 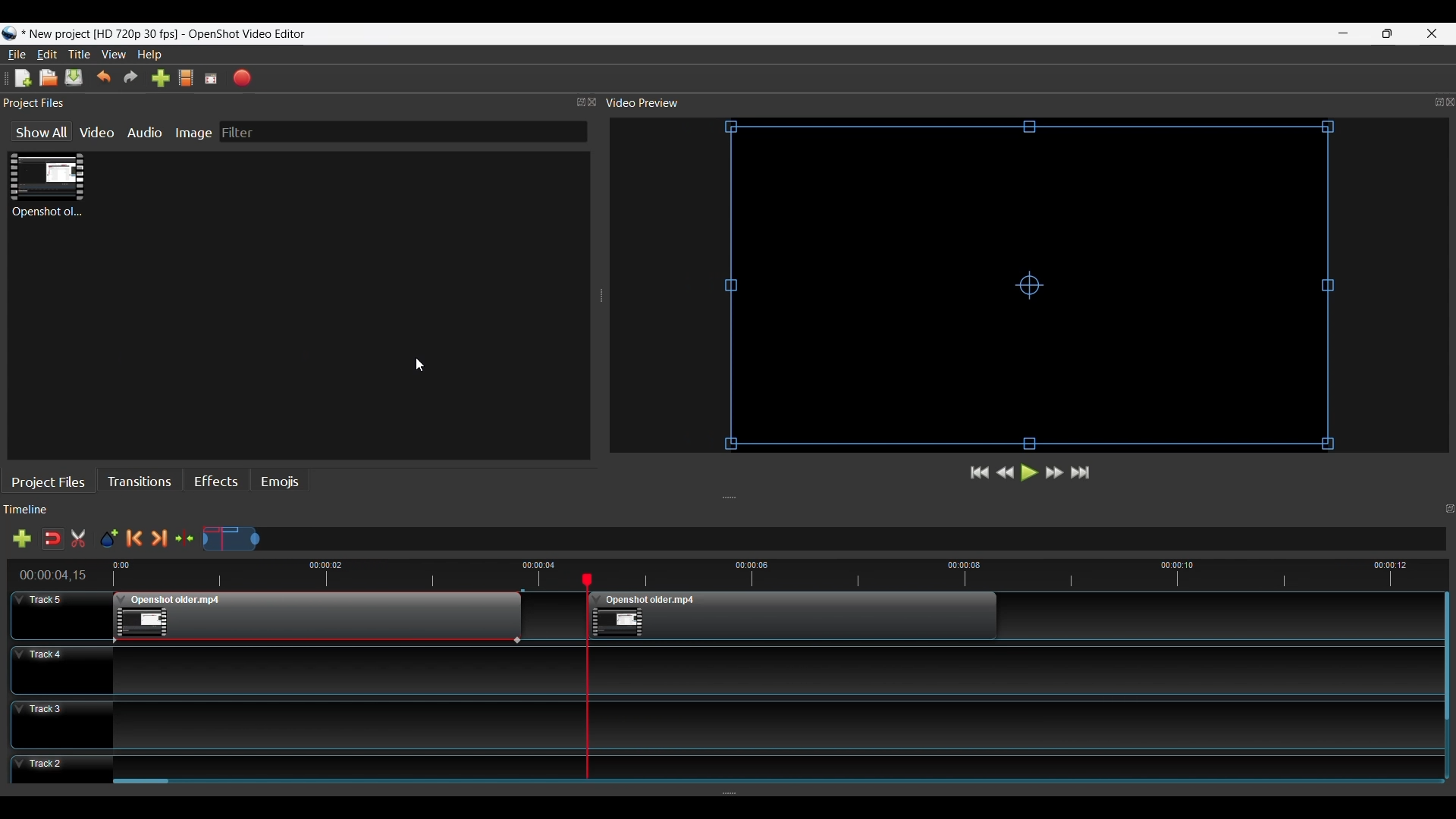 What do you see at coordinates (47, 186) in the screenshot?
I see `Clip` at bounding box center [47, 186].